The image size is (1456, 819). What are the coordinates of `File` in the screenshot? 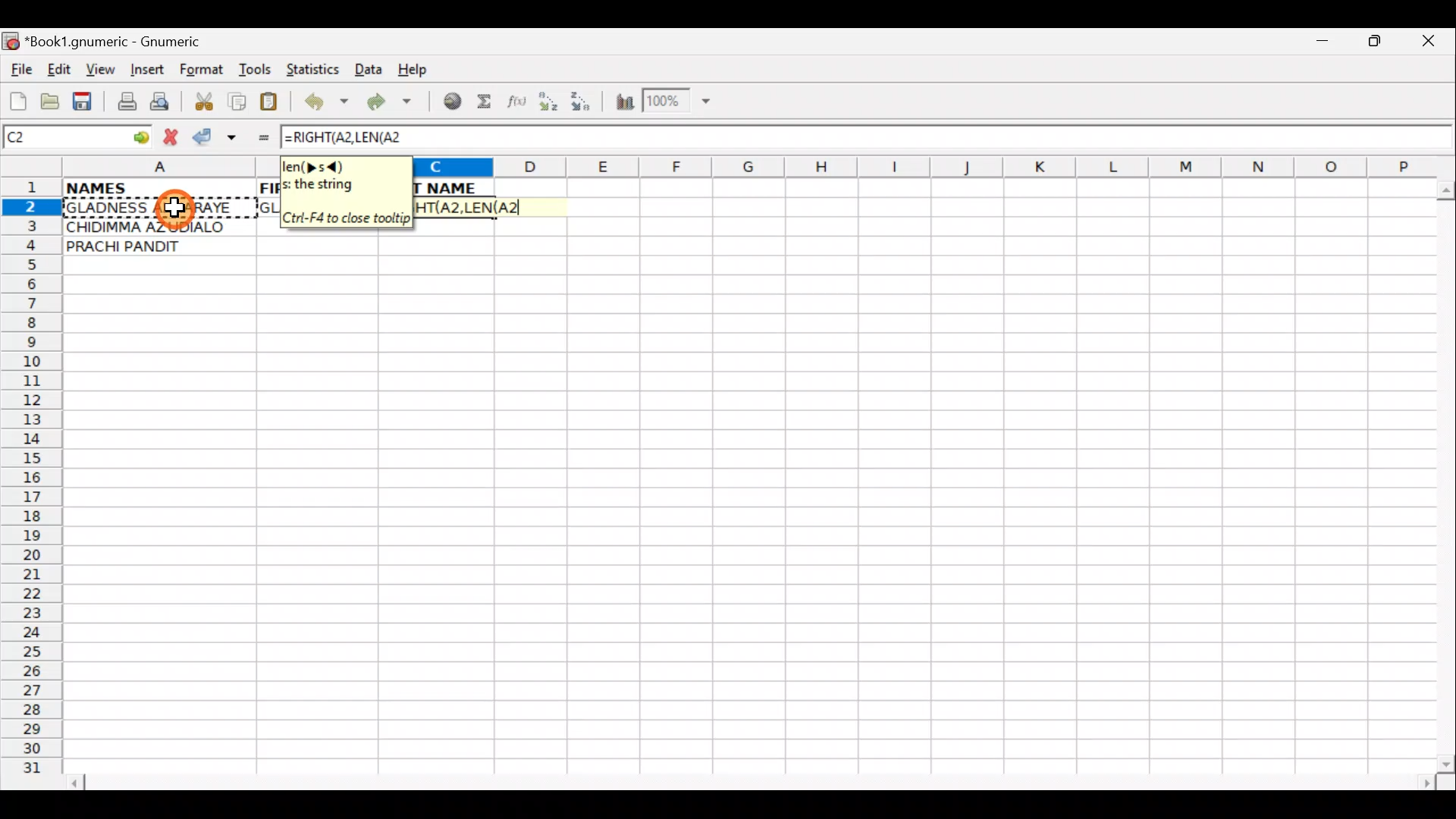 It's located at (20, 71).